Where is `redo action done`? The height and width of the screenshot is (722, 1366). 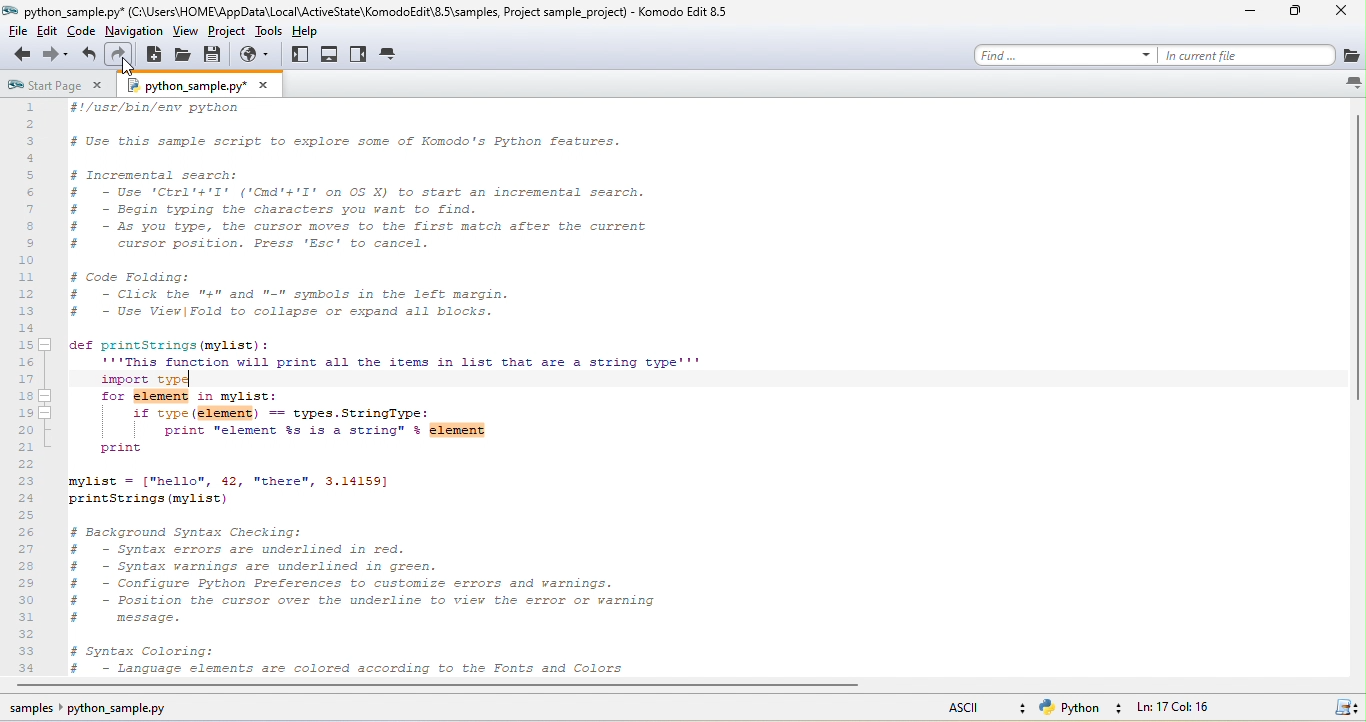
redo action done is located at coordinates (178, 380).